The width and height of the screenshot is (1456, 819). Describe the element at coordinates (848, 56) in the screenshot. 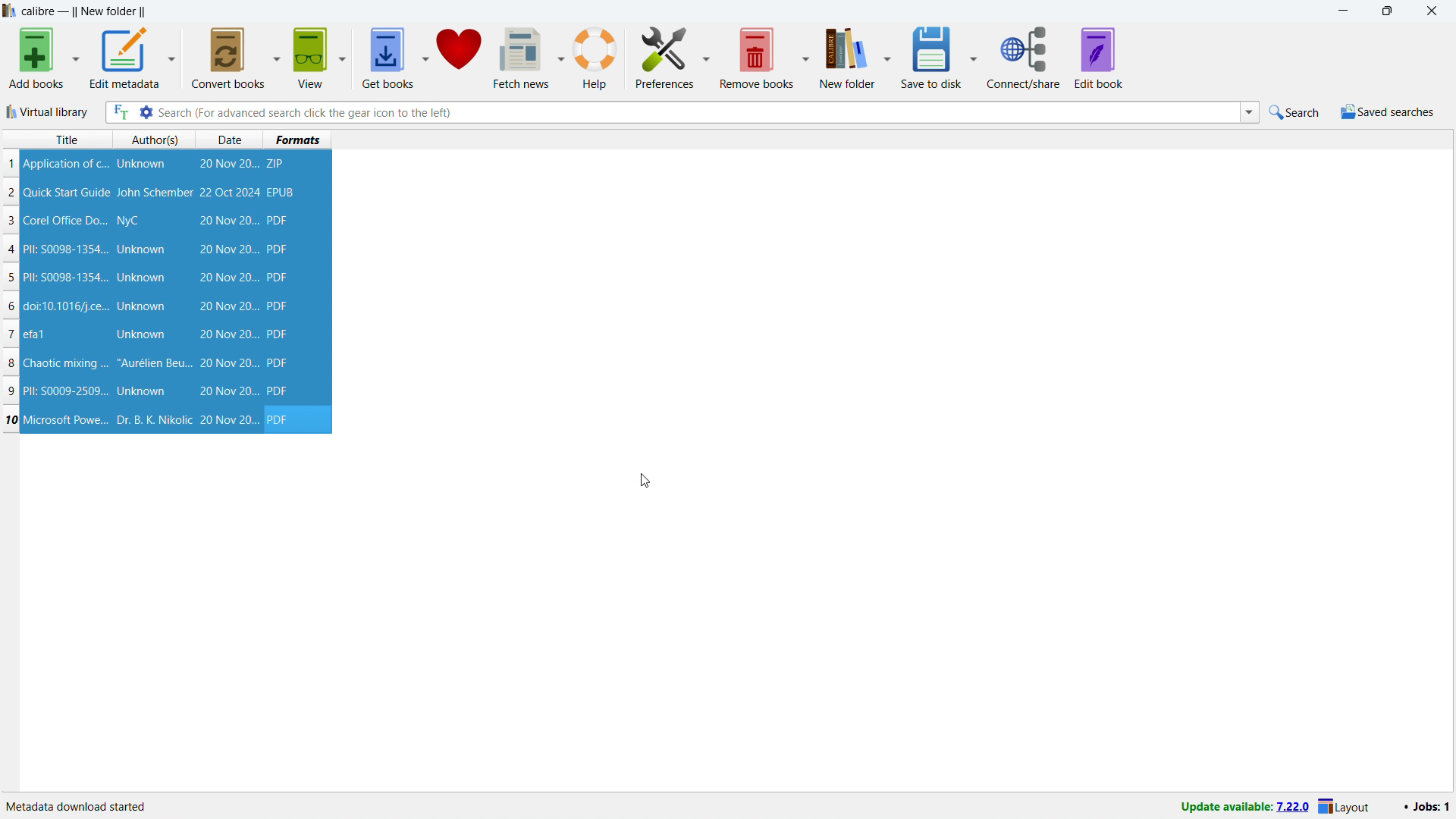

I see `new folder ` at that location.